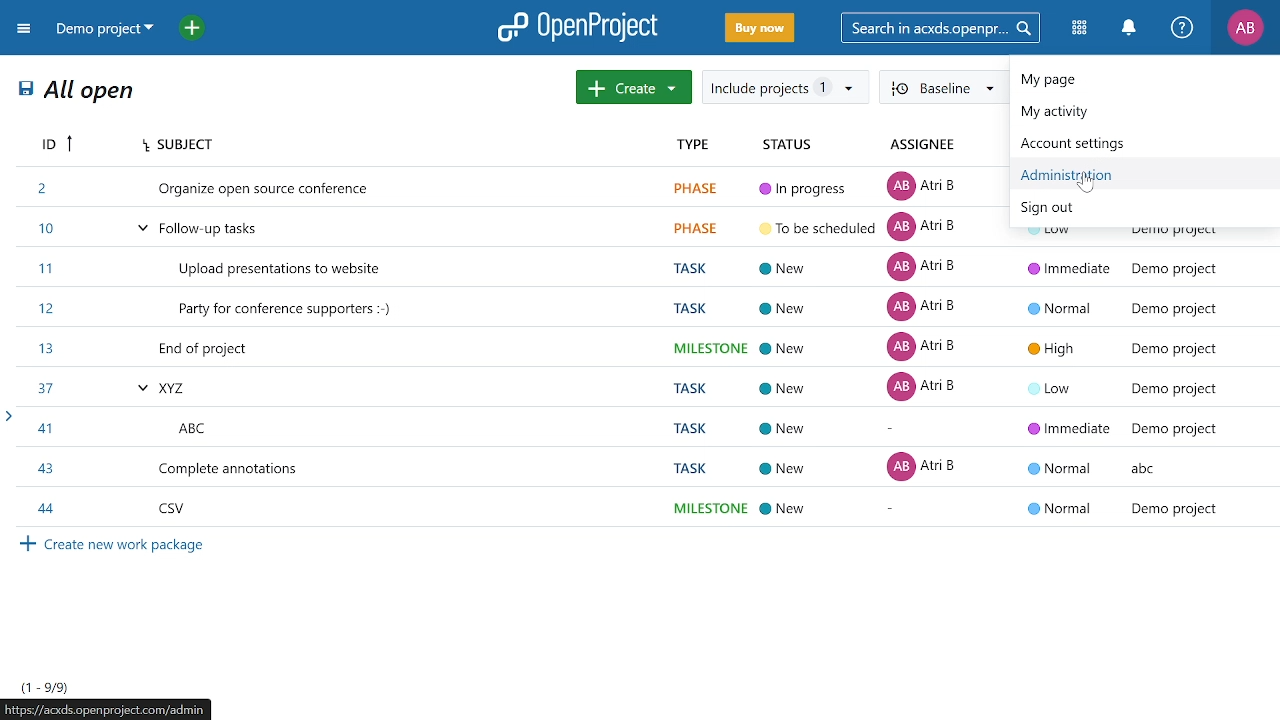 The width and height of the screenshot is (1280, 720). I want to click on Modules, so click(1081, 27).